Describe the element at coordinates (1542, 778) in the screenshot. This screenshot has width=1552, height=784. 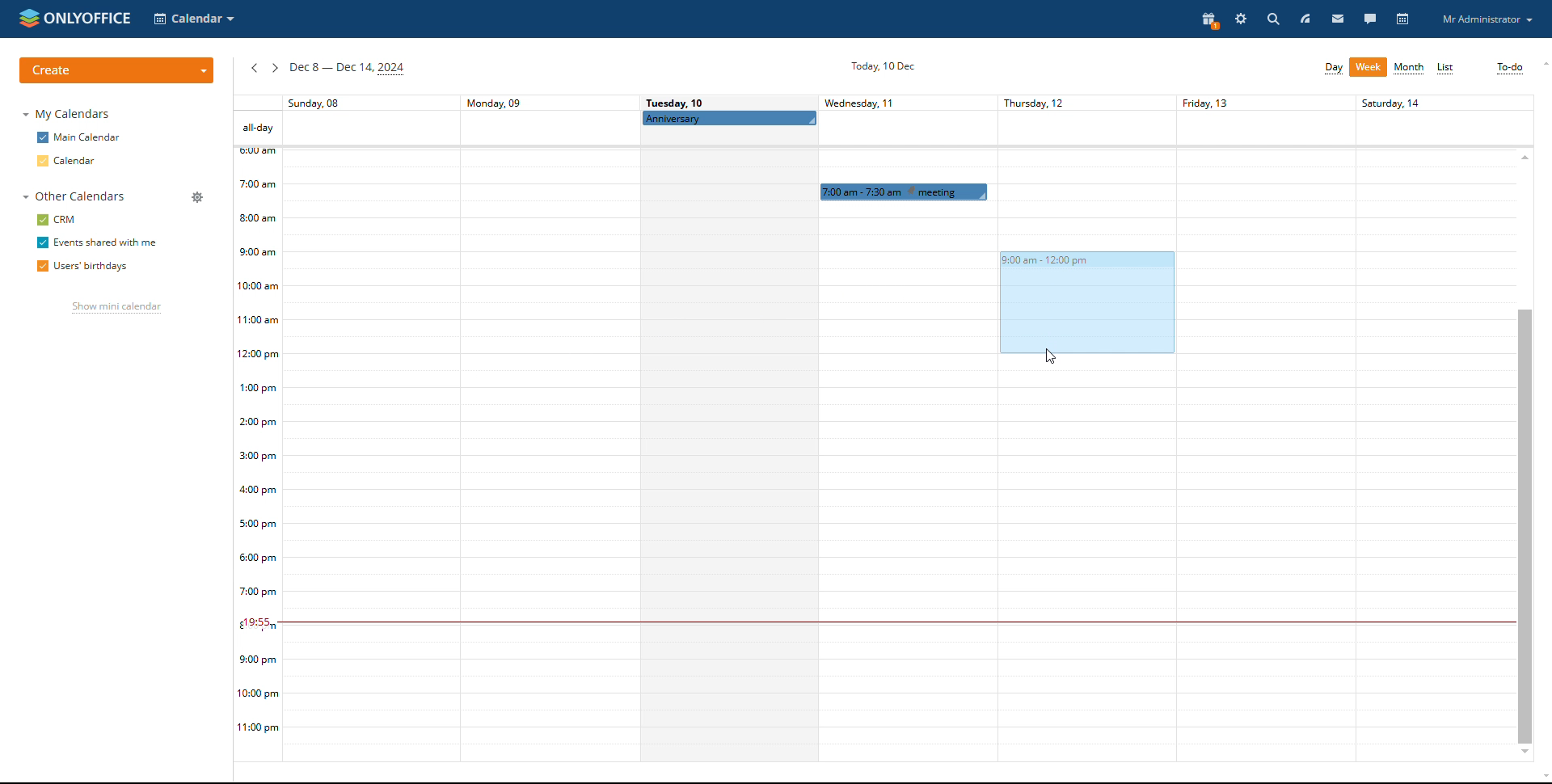
I see `scroll down` at that location.